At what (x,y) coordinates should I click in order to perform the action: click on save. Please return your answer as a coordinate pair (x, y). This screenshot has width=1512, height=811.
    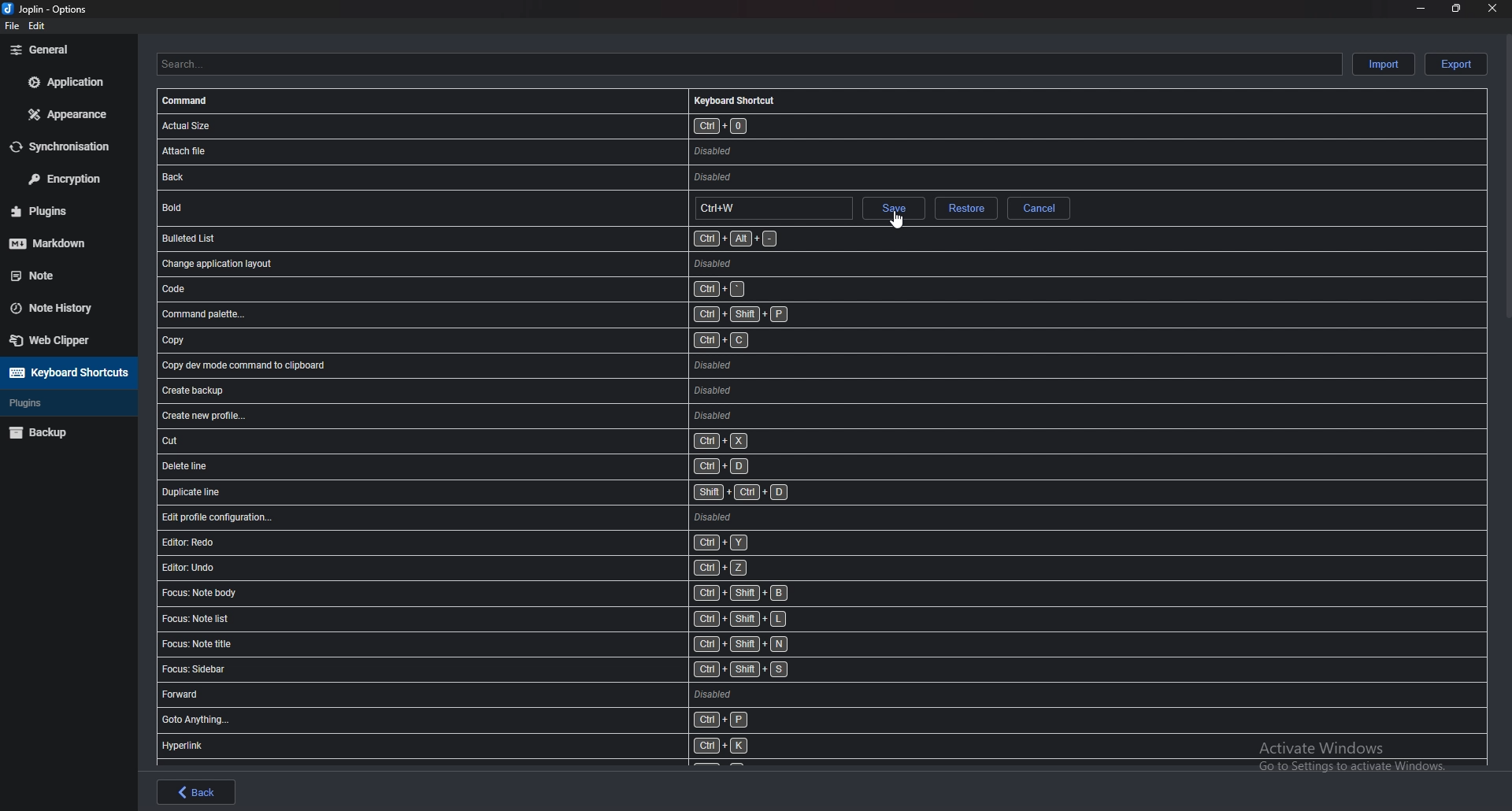
    Looking at the image, I should click on (894, 209).